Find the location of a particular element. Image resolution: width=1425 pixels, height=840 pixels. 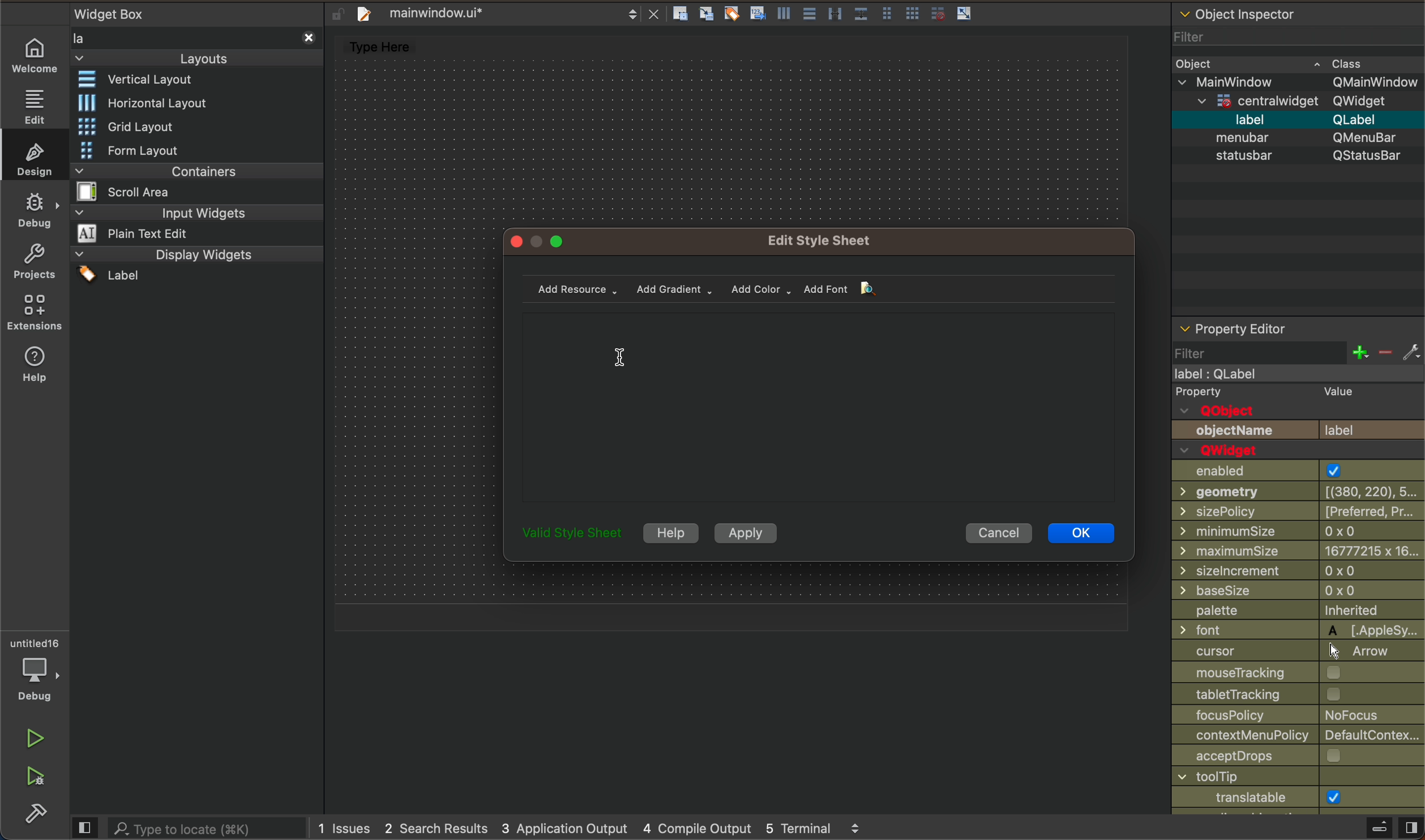

search is located at coordinates (187, 829).